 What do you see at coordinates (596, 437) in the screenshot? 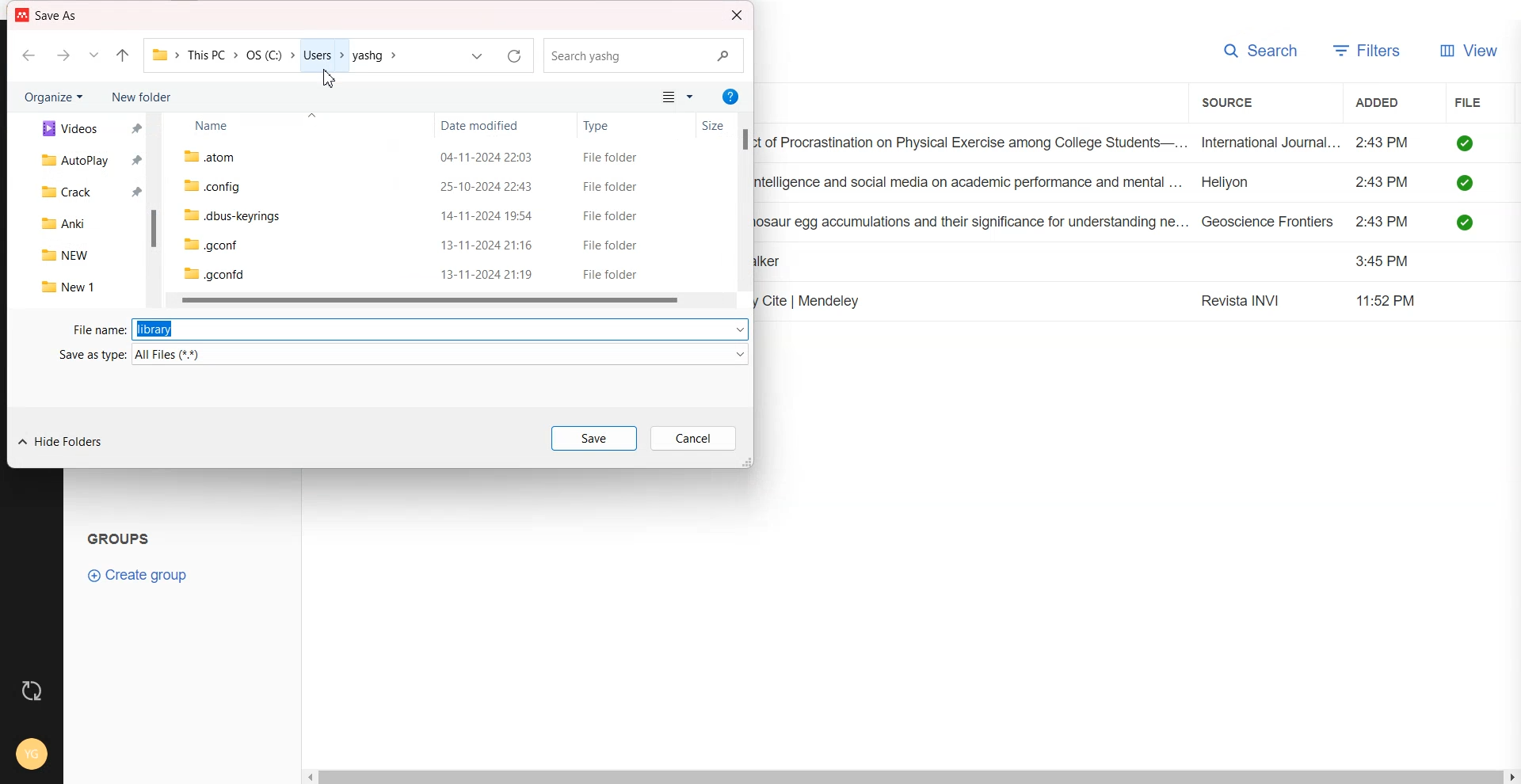
I see `Save` at bounding box center [596, 437].